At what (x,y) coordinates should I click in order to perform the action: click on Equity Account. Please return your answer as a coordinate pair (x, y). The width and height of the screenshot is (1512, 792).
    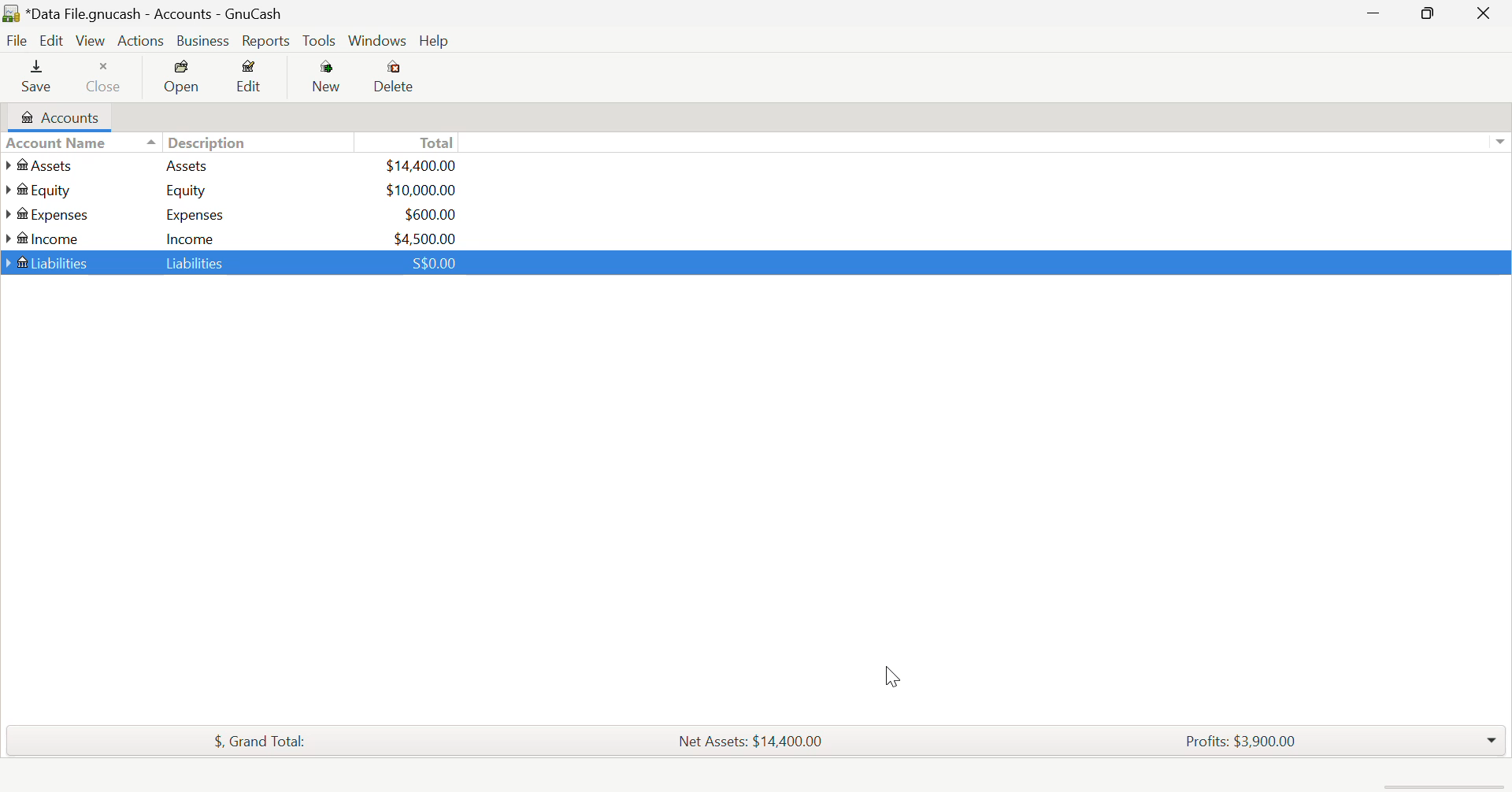
    Looking at the image, I should click on (43, 187).